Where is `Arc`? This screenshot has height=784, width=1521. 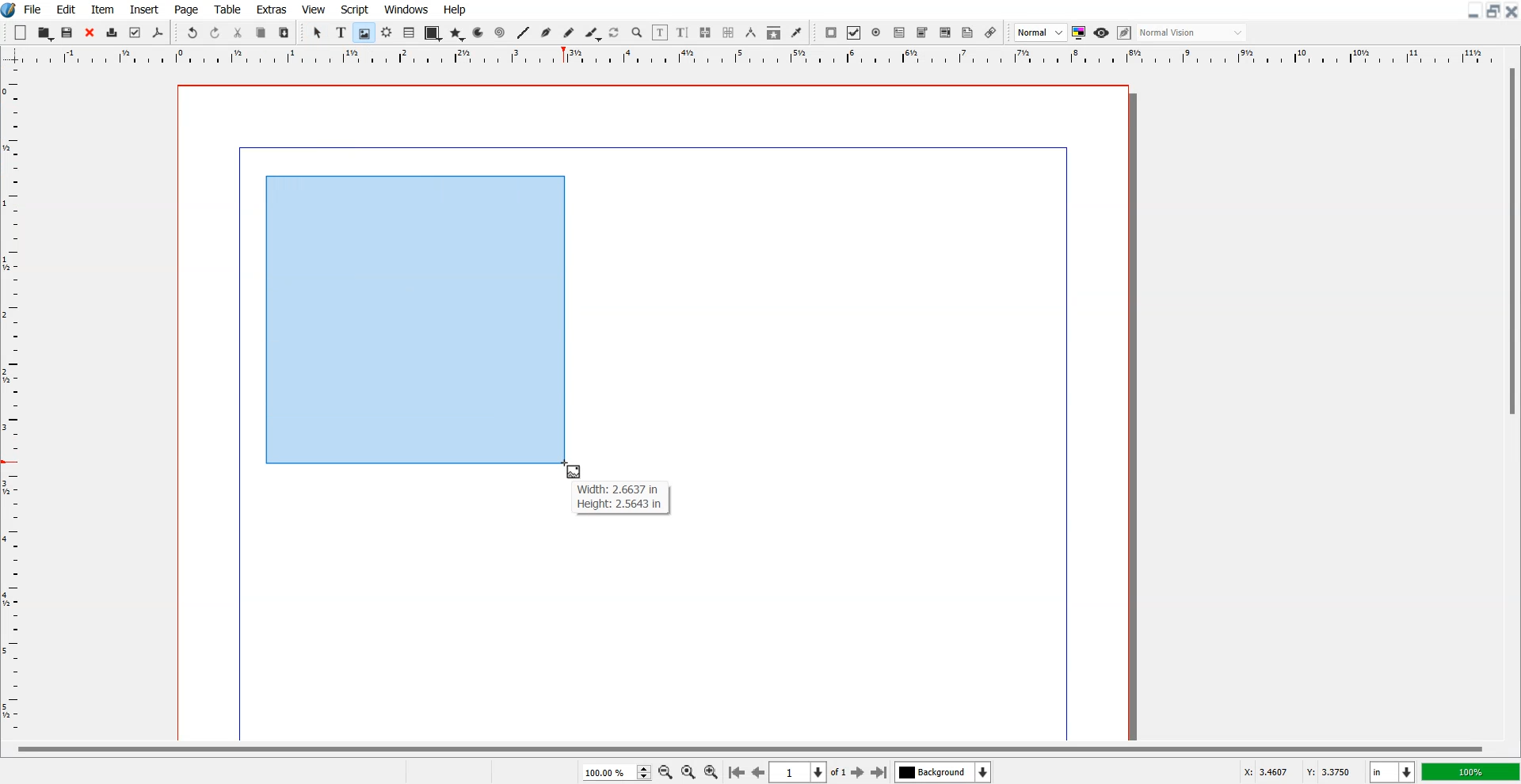
Arc is located at coordinates (479, 32).